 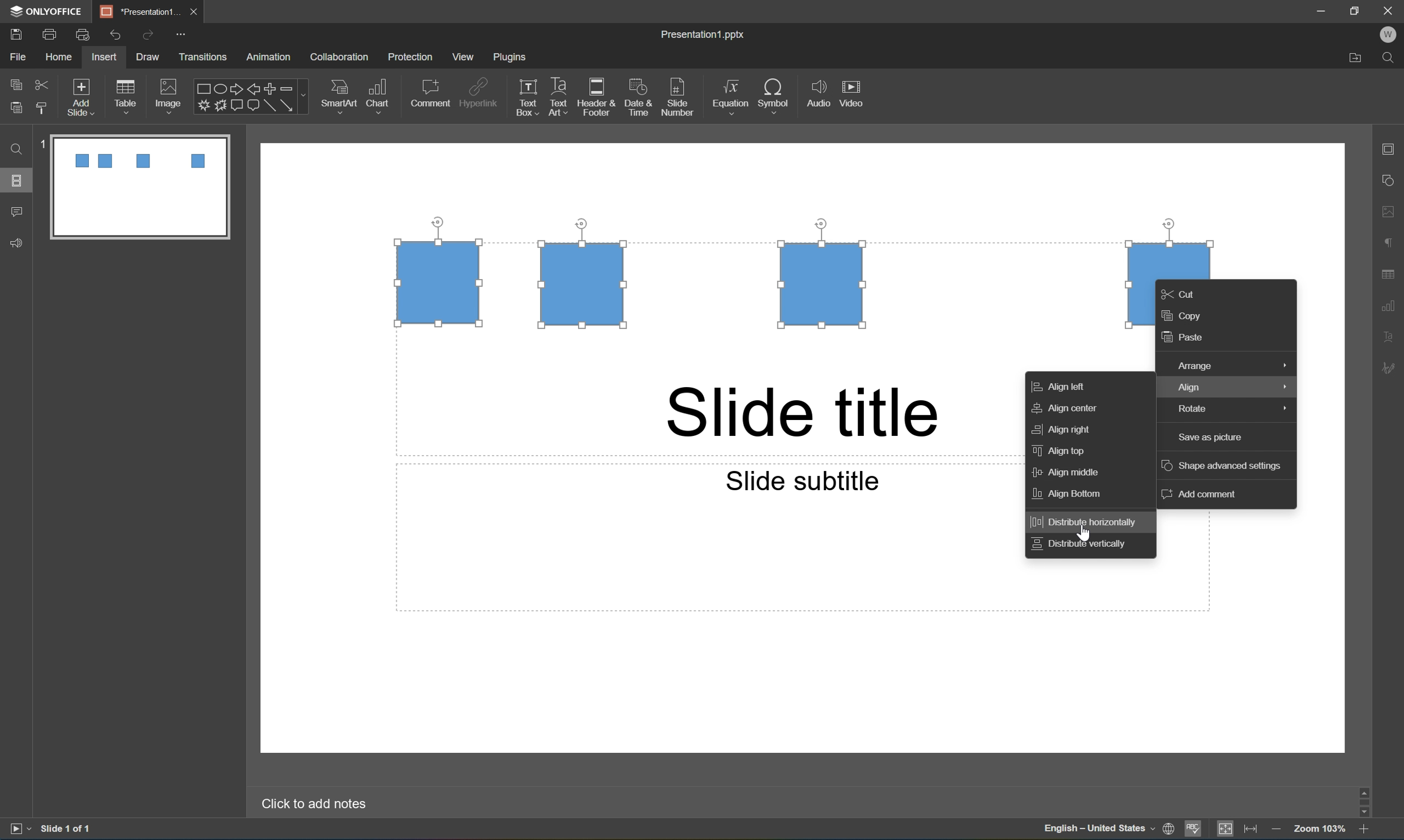 I want to click on slide 1 of 1, so click(x=66, y=830).